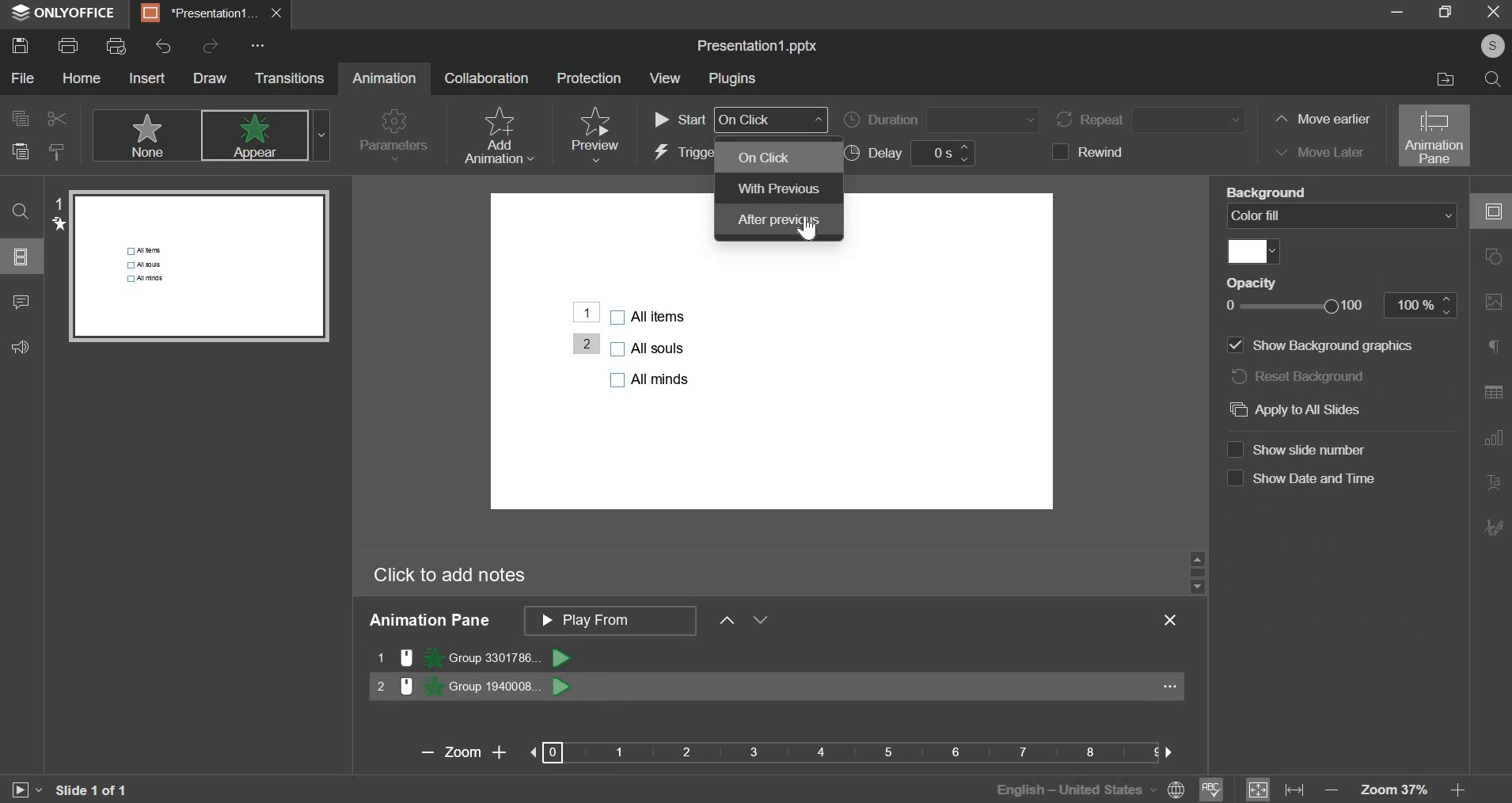  I want to click on add animation, so click(497, 135).